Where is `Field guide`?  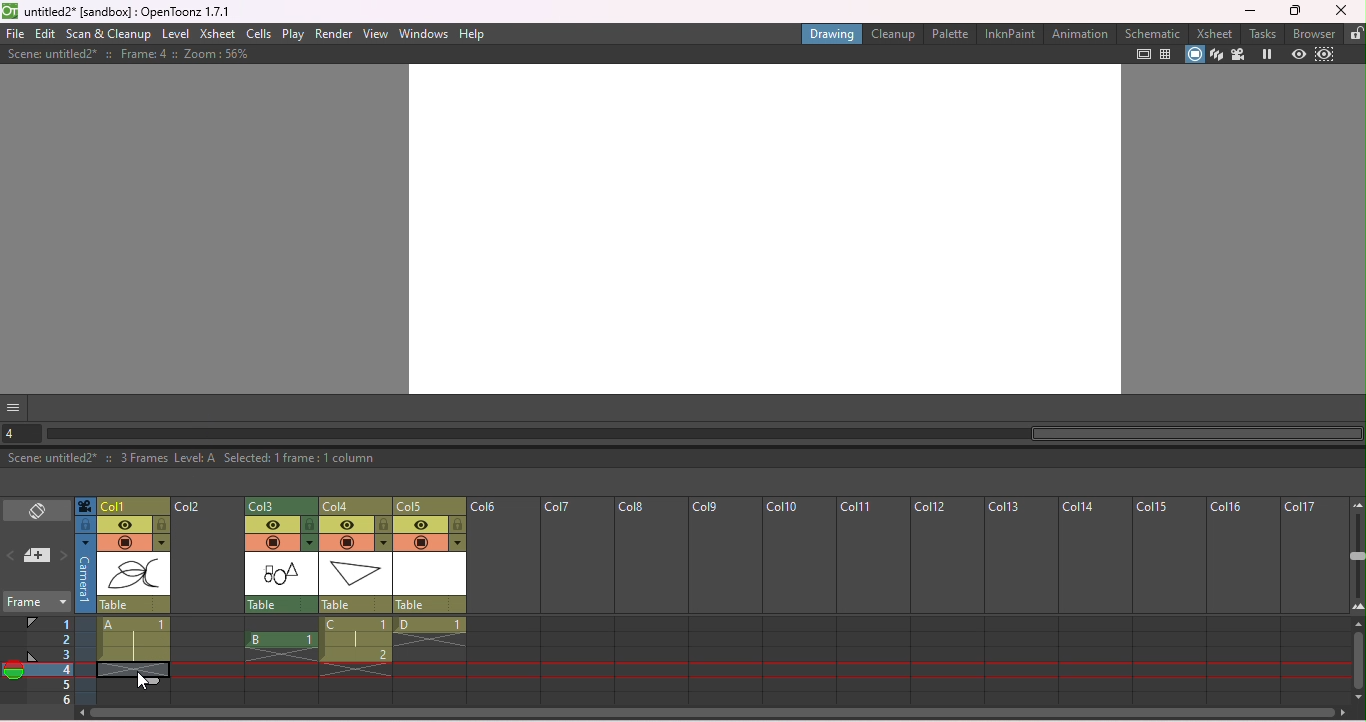 Field guide is located at coordinates (1169, 54).